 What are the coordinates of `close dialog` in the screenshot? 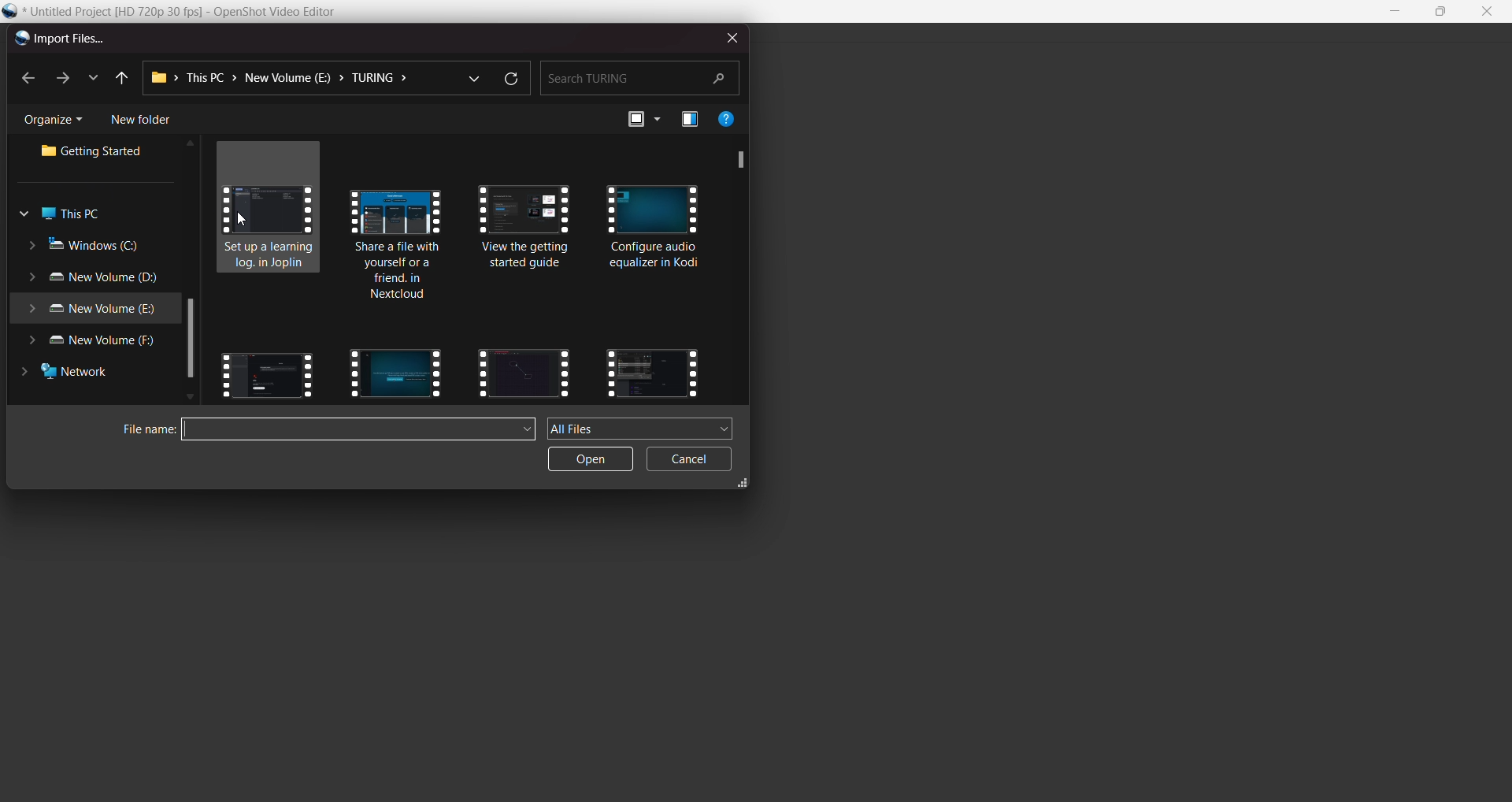 It's located at (728, 36).